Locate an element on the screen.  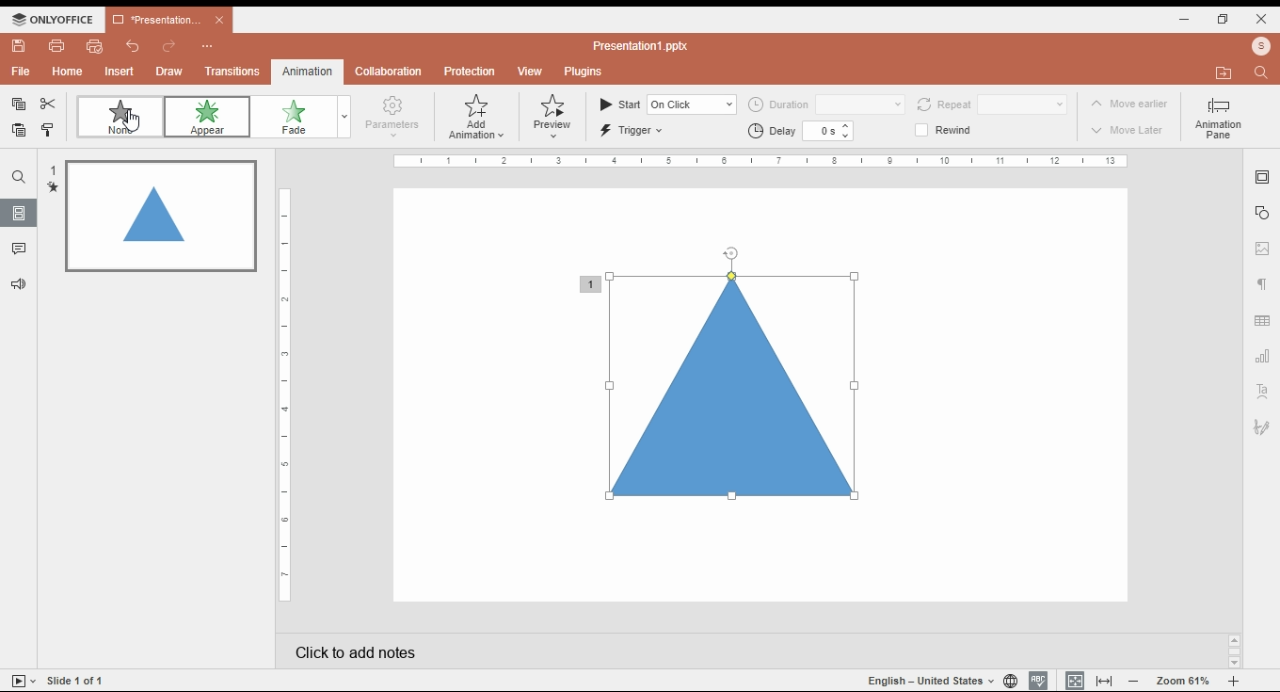
save is located at coordinates (22, 46).